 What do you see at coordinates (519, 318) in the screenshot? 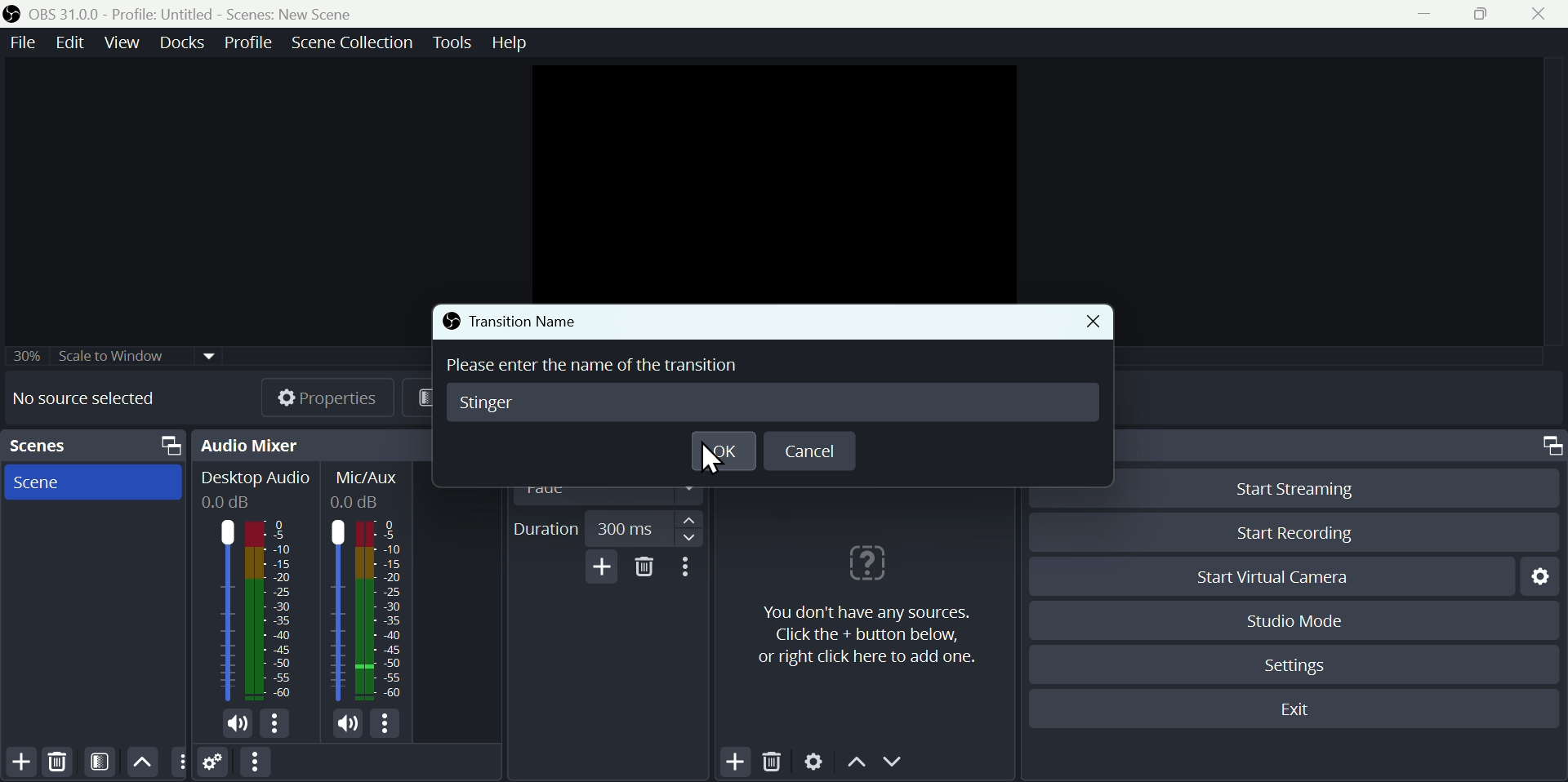
I see `Transition name` at bounding box center [519, 318].